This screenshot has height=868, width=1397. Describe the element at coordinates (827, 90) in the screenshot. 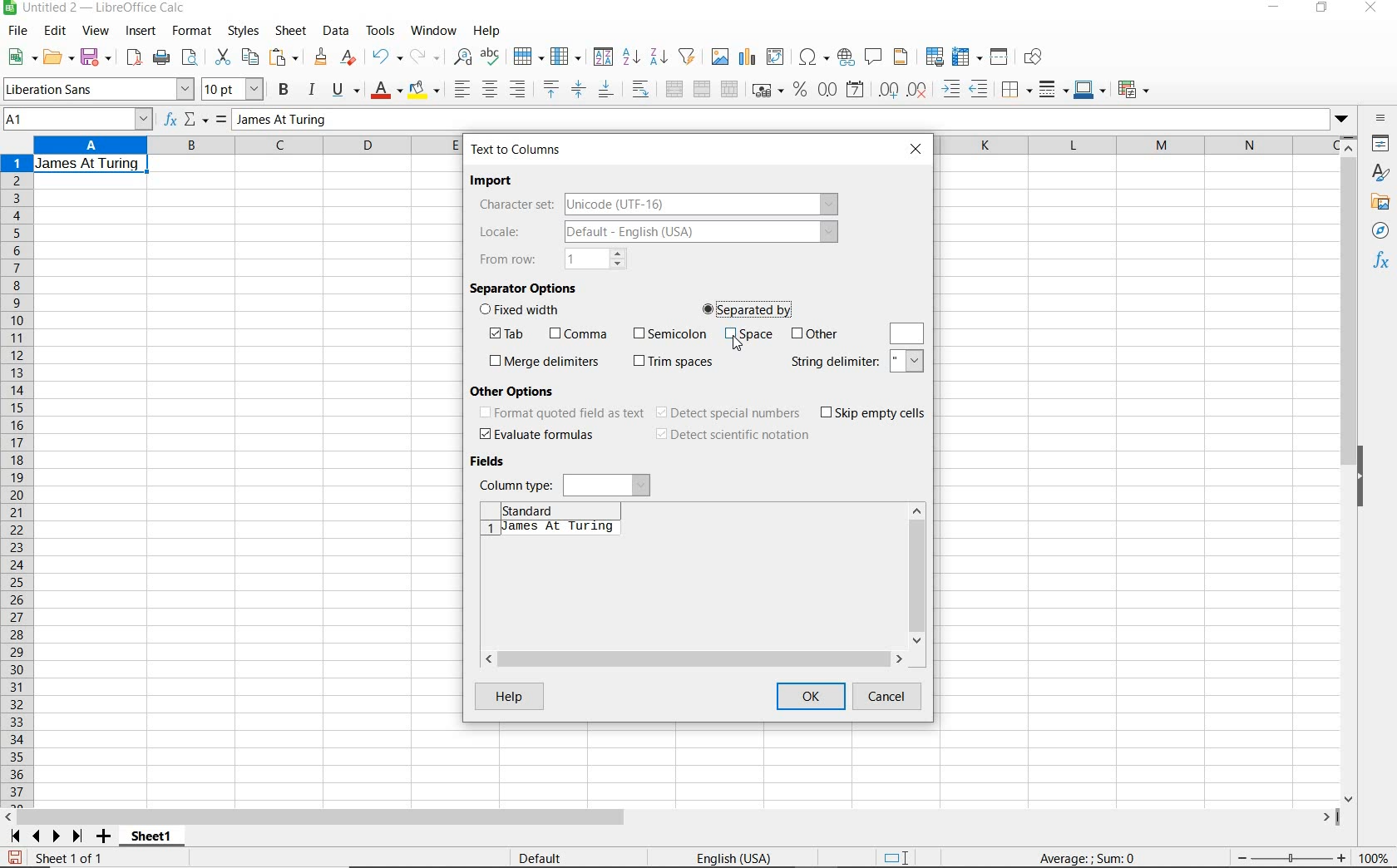

I see `format as number` at that location.